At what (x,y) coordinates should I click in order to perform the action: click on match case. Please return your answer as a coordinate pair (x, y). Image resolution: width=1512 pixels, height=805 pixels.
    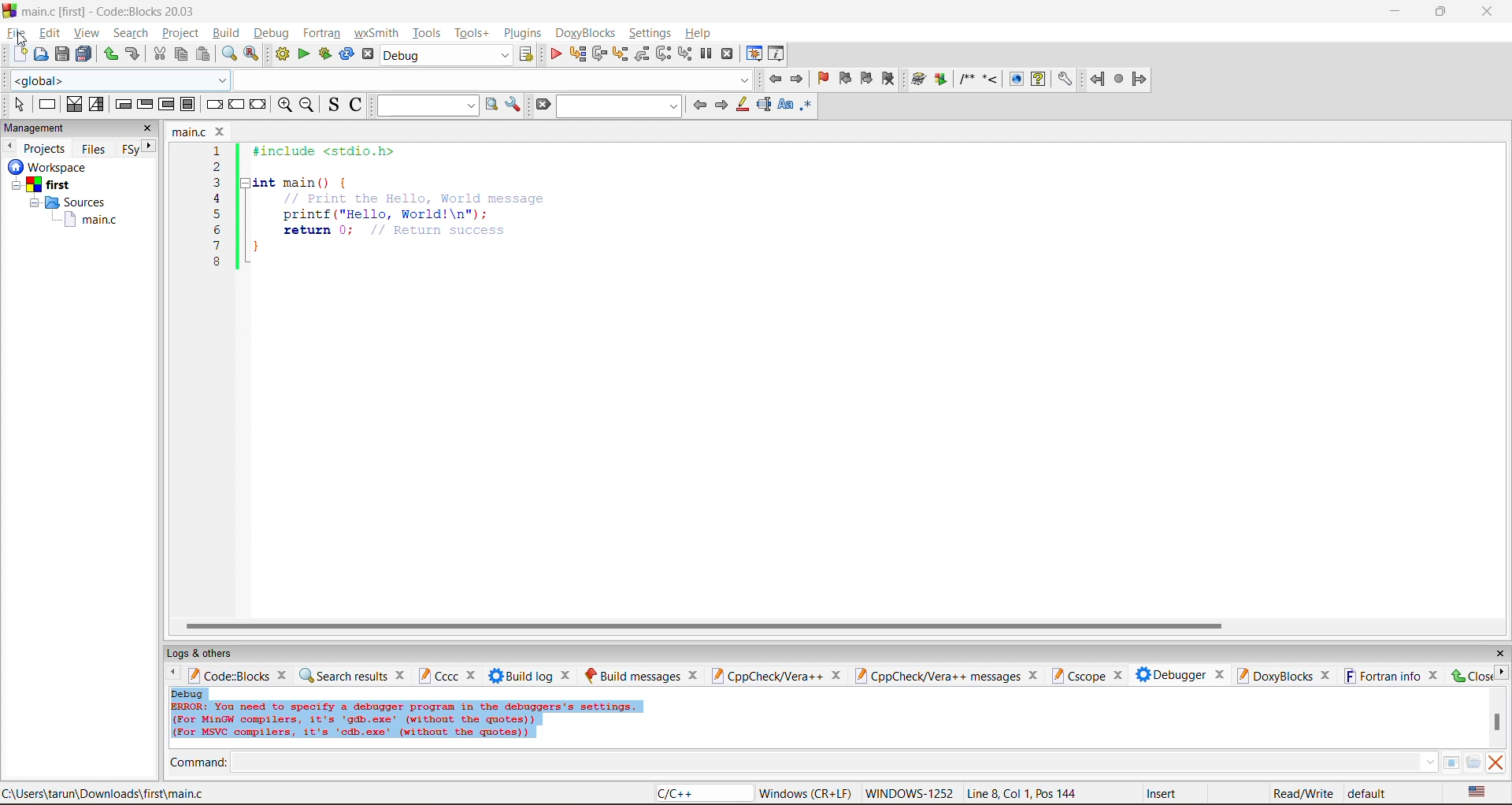
    Looking at the image, I should click on (784, 106).